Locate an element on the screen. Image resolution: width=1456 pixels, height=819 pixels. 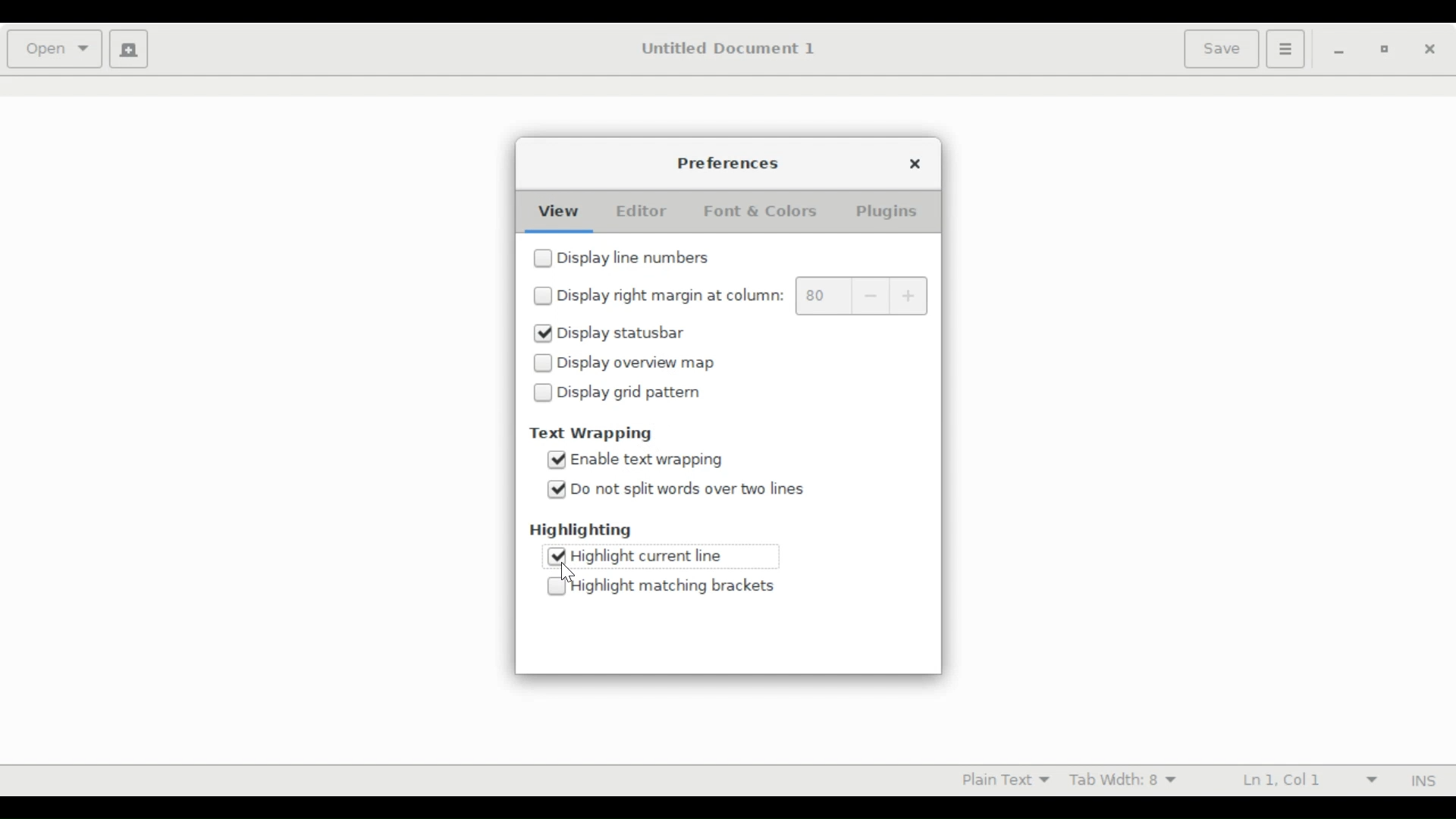
Highlight brackets  is located at coordinates (675, 586).